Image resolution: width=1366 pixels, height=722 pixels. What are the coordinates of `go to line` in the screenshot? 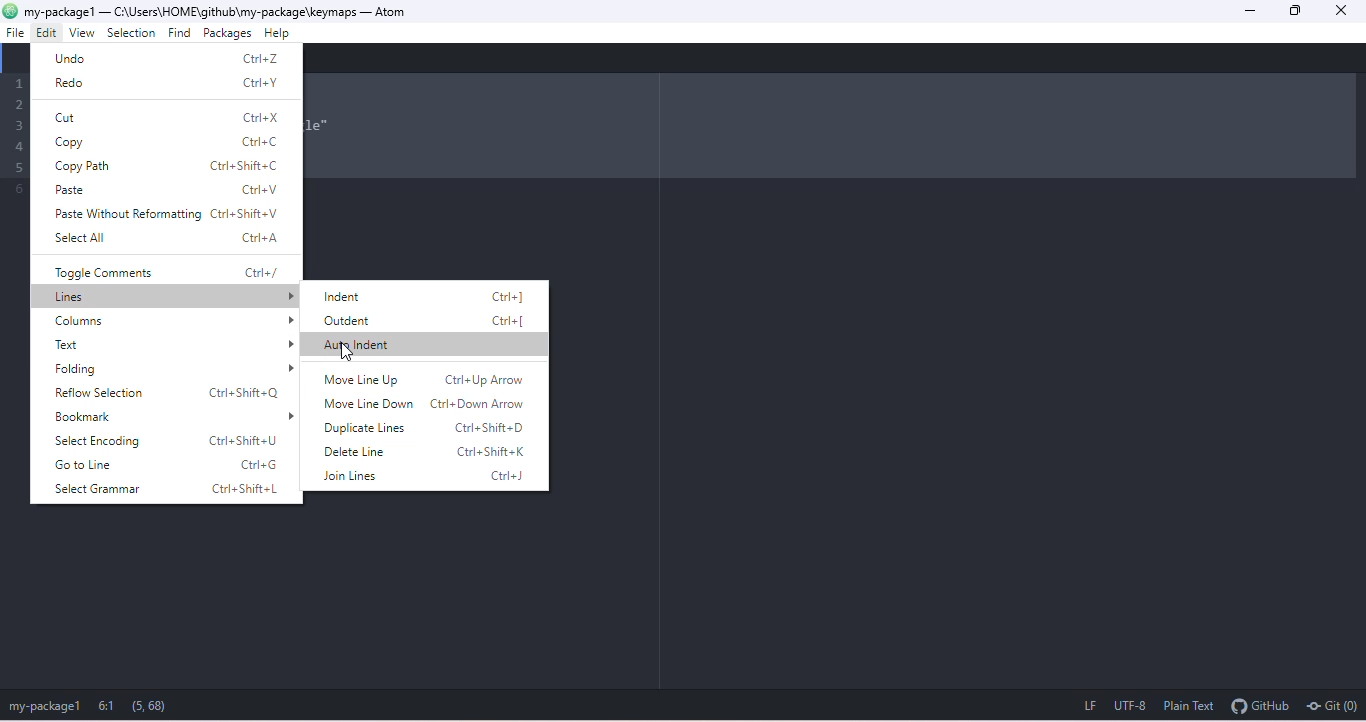 It's located at (173, 463).